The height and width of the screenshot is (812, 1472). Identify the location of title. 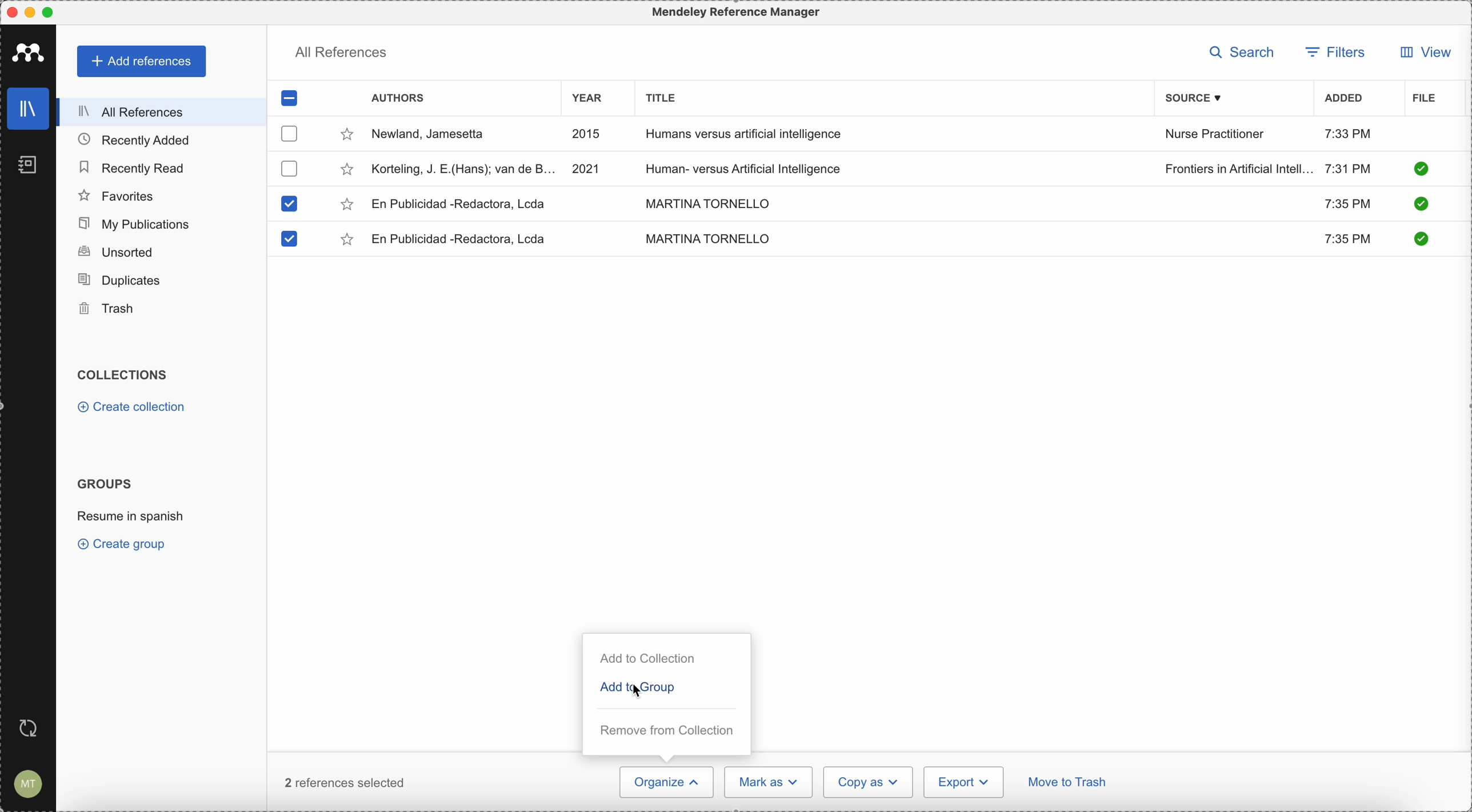
(658, 97).